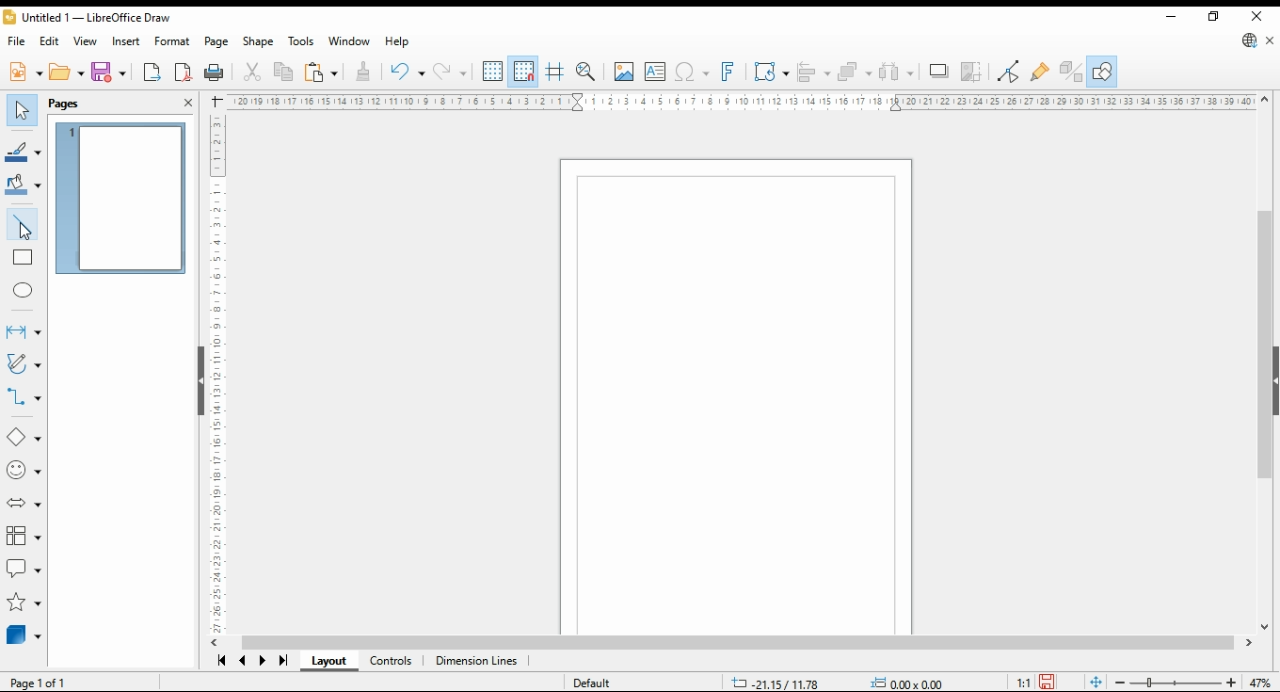  What do you see at coordinates (20, 438) in the screenshot?
I see `basic shapes` at bounding box center [20, 438].